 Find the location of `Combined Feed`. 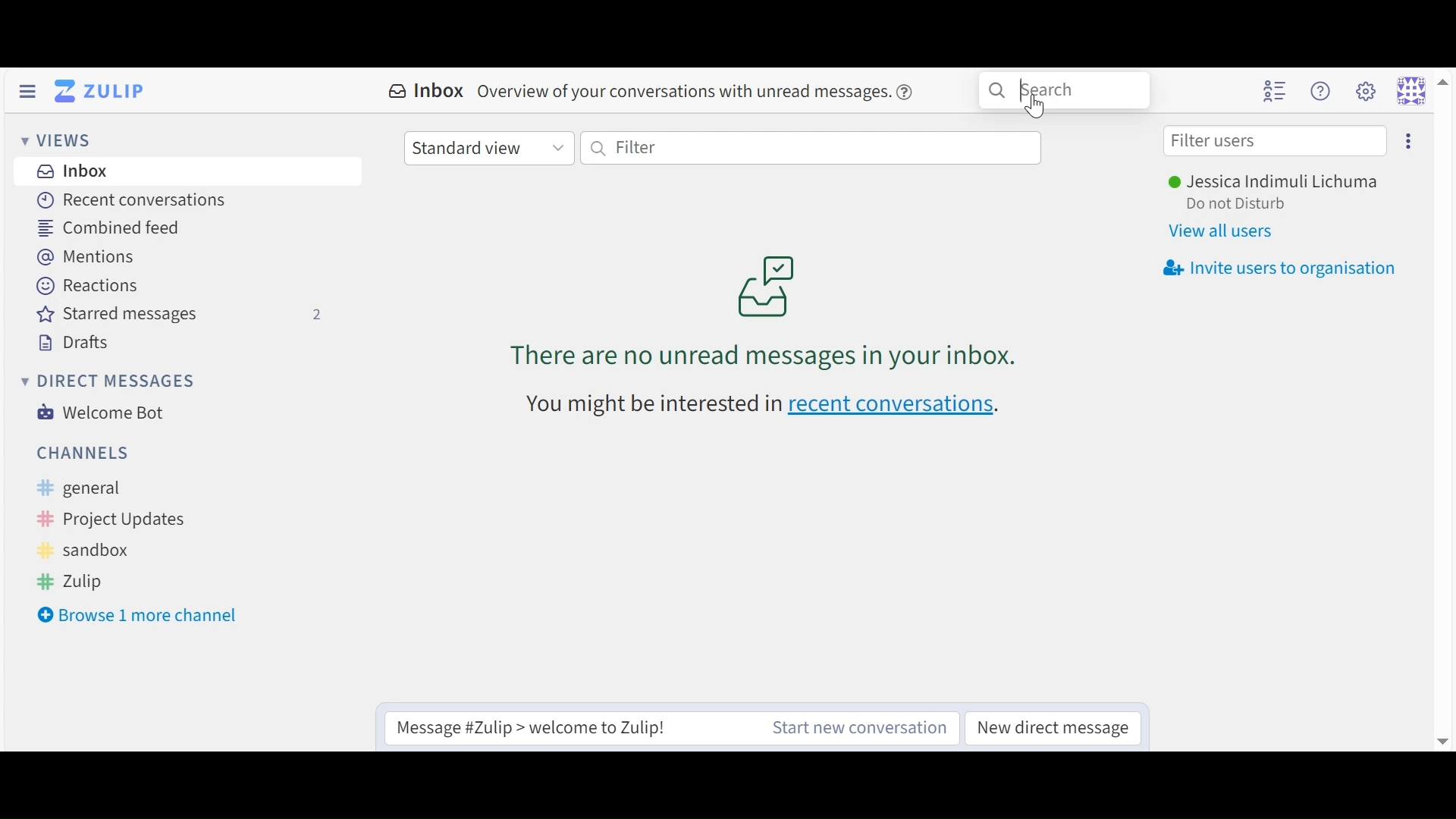

Combined Feed is located at coordinates (103, 227).